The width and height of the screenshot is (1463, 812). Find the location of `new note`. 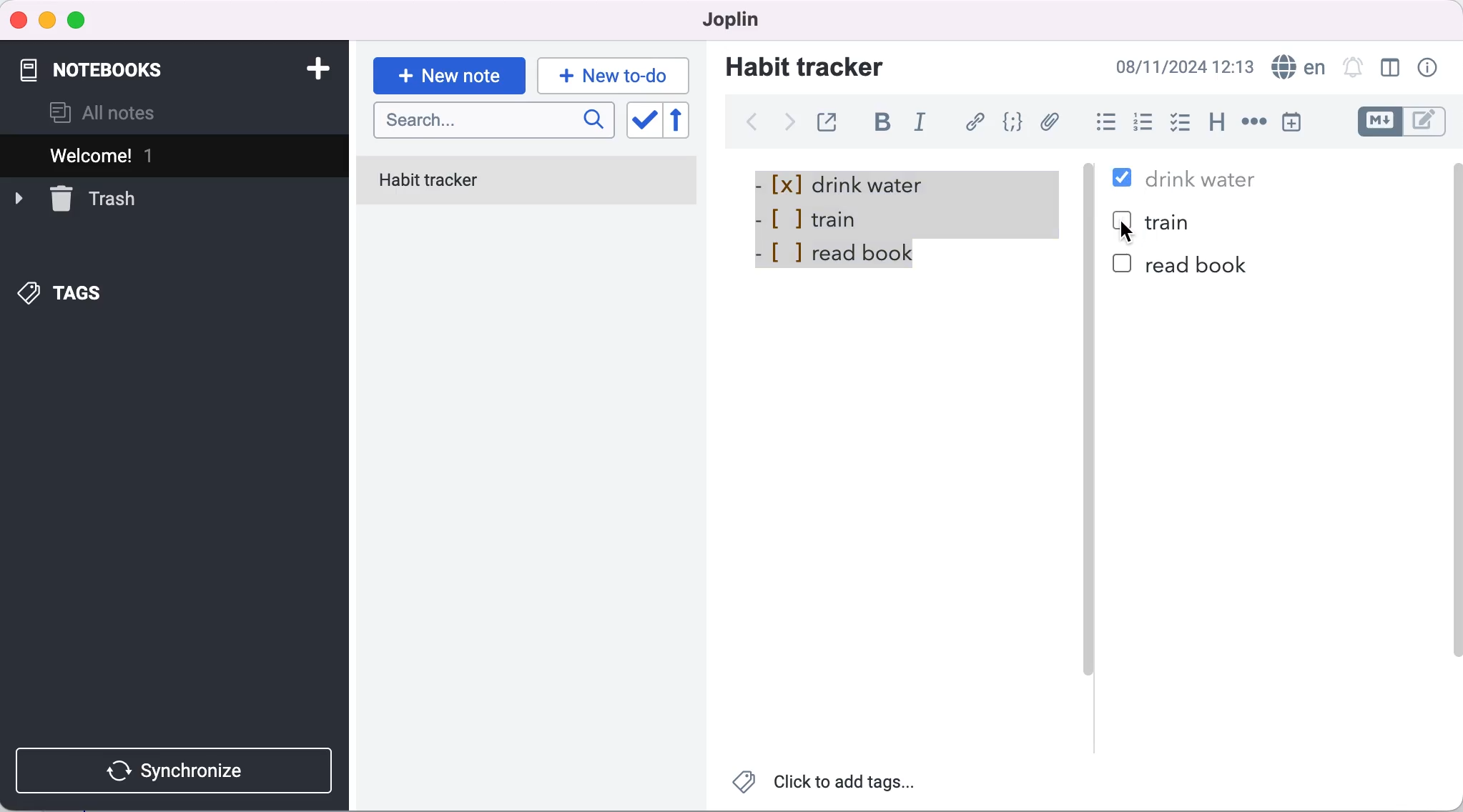

new note is located at coordinates (448, 76).